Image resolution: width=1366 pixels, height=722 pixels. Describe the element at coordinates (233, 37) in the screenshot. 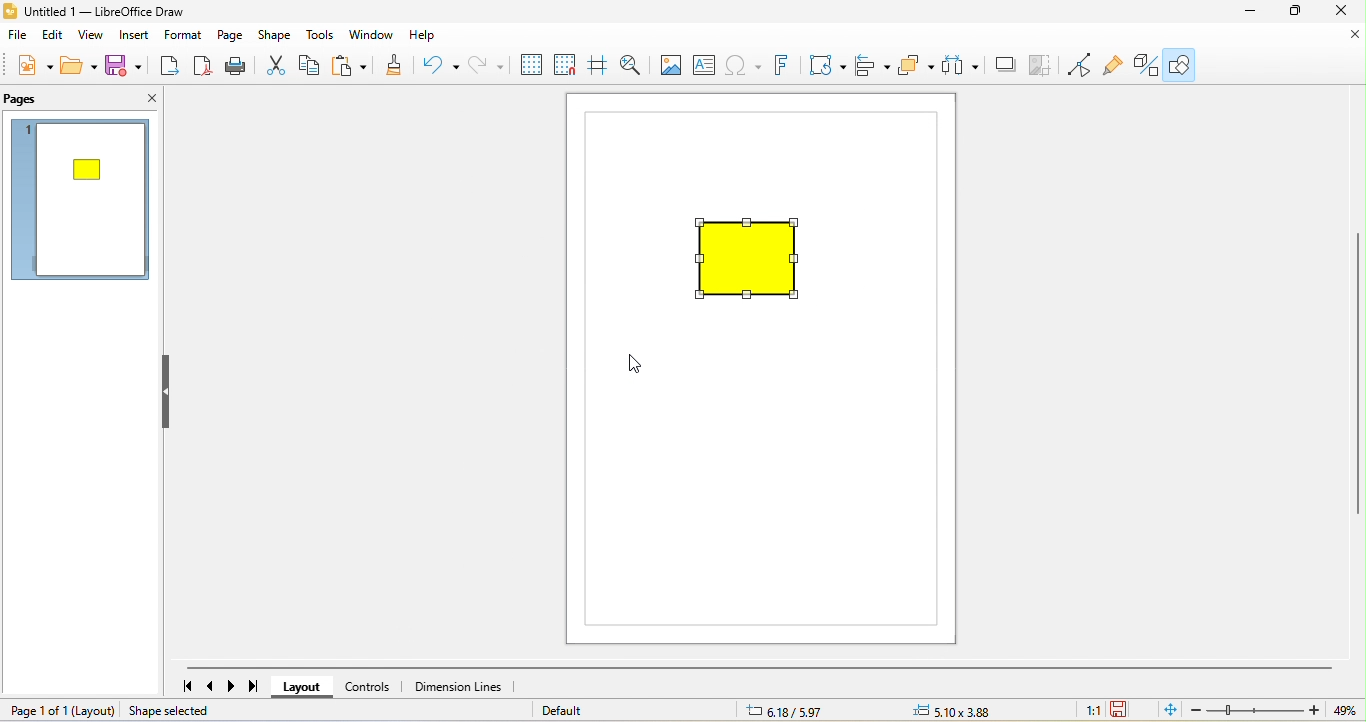

I see `page` at that location.